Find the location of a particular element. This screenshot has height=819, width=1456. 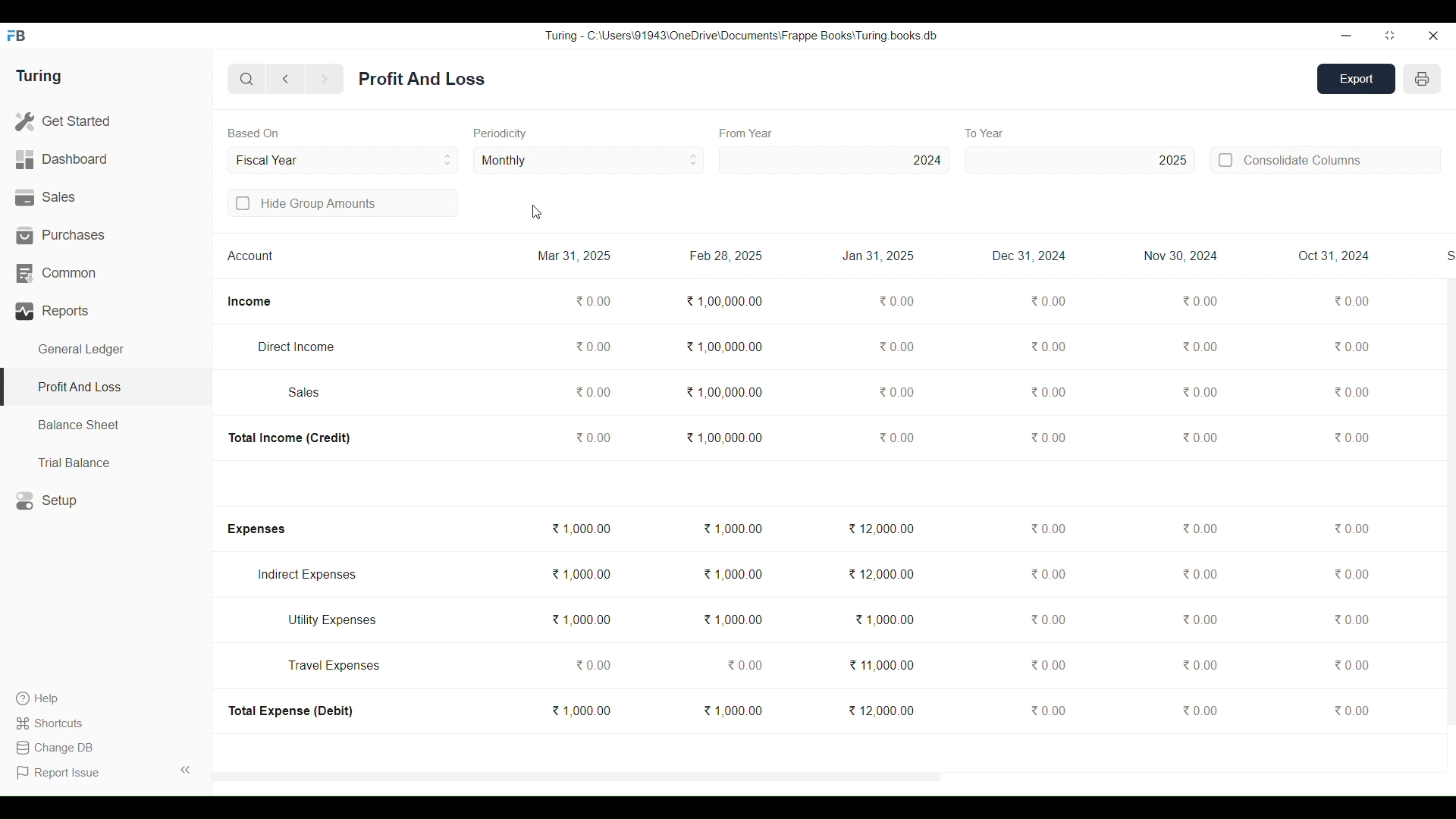

Travel Expenses is located at coordinates (334, 665).